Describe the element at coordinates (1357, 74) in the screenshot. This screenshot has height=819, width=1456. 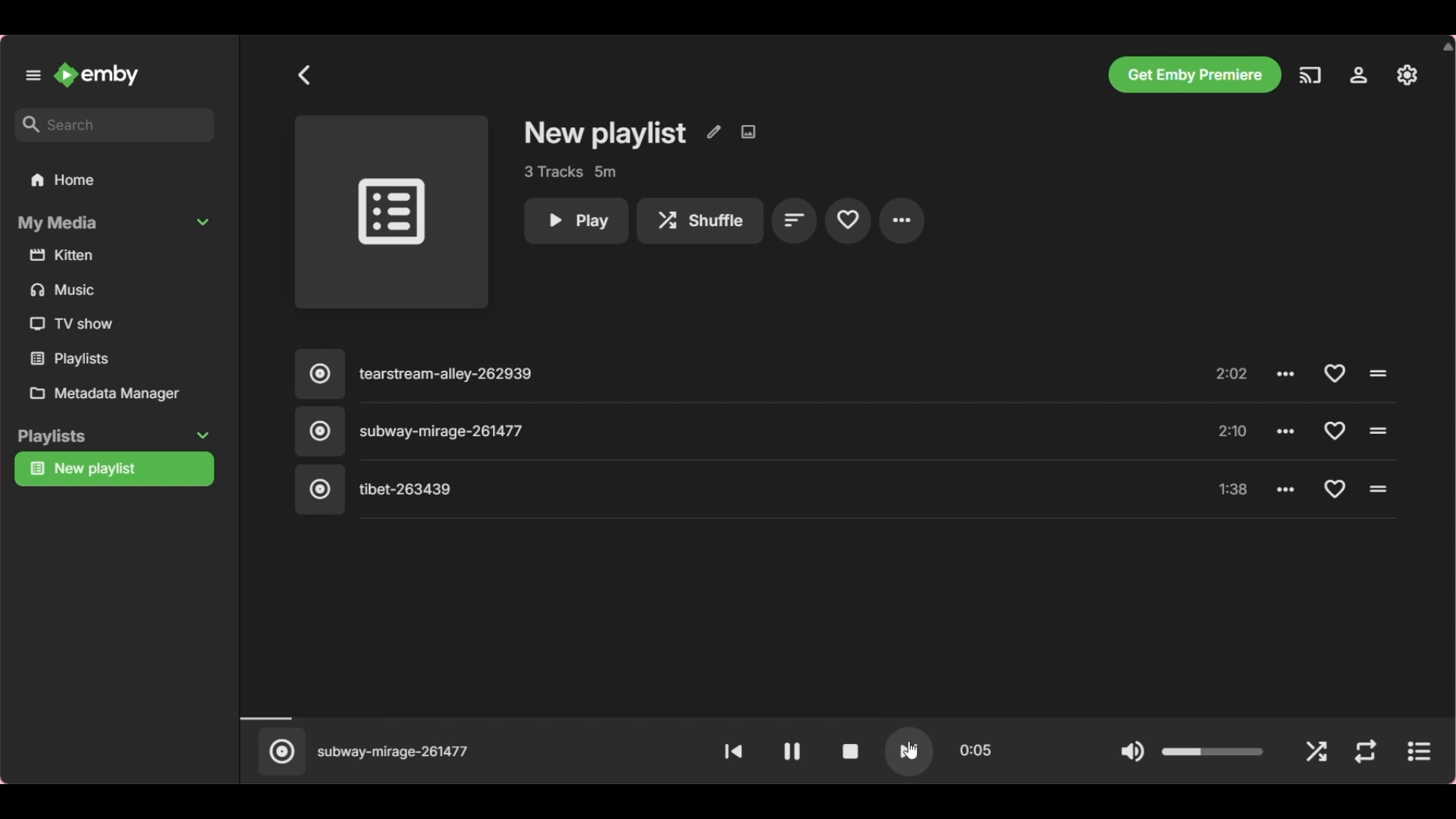
I see `Manage Emby servers` at that location.